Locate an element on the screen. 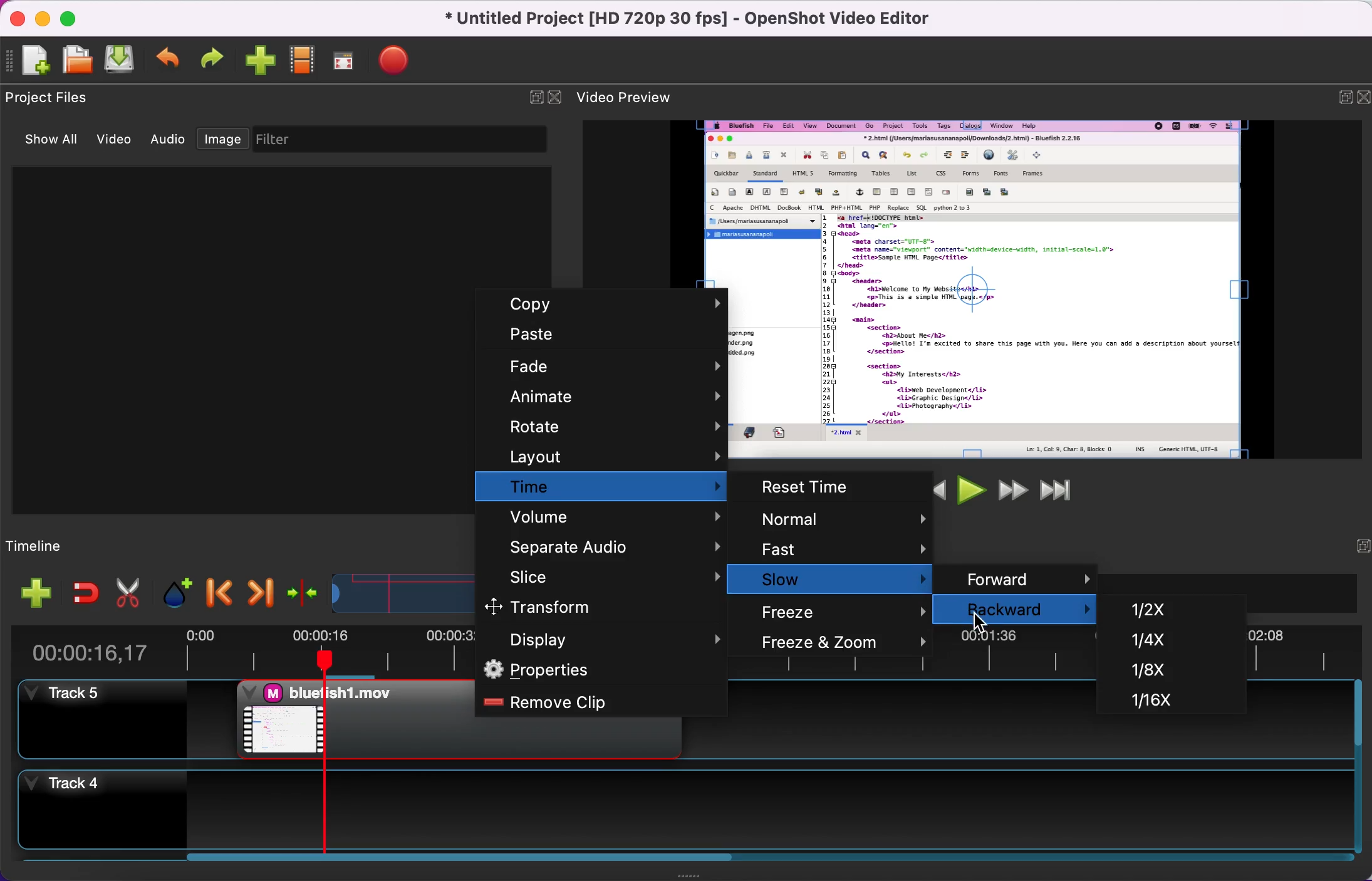  open project is located at coordinates (79, 61).